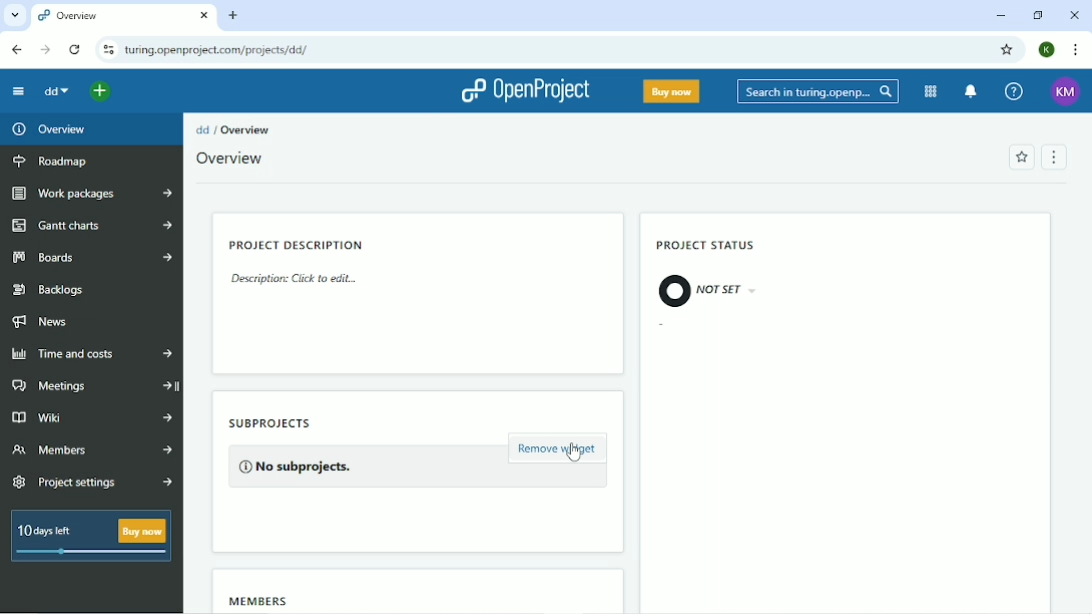  I want to click on To notification center, so click(970, 92).